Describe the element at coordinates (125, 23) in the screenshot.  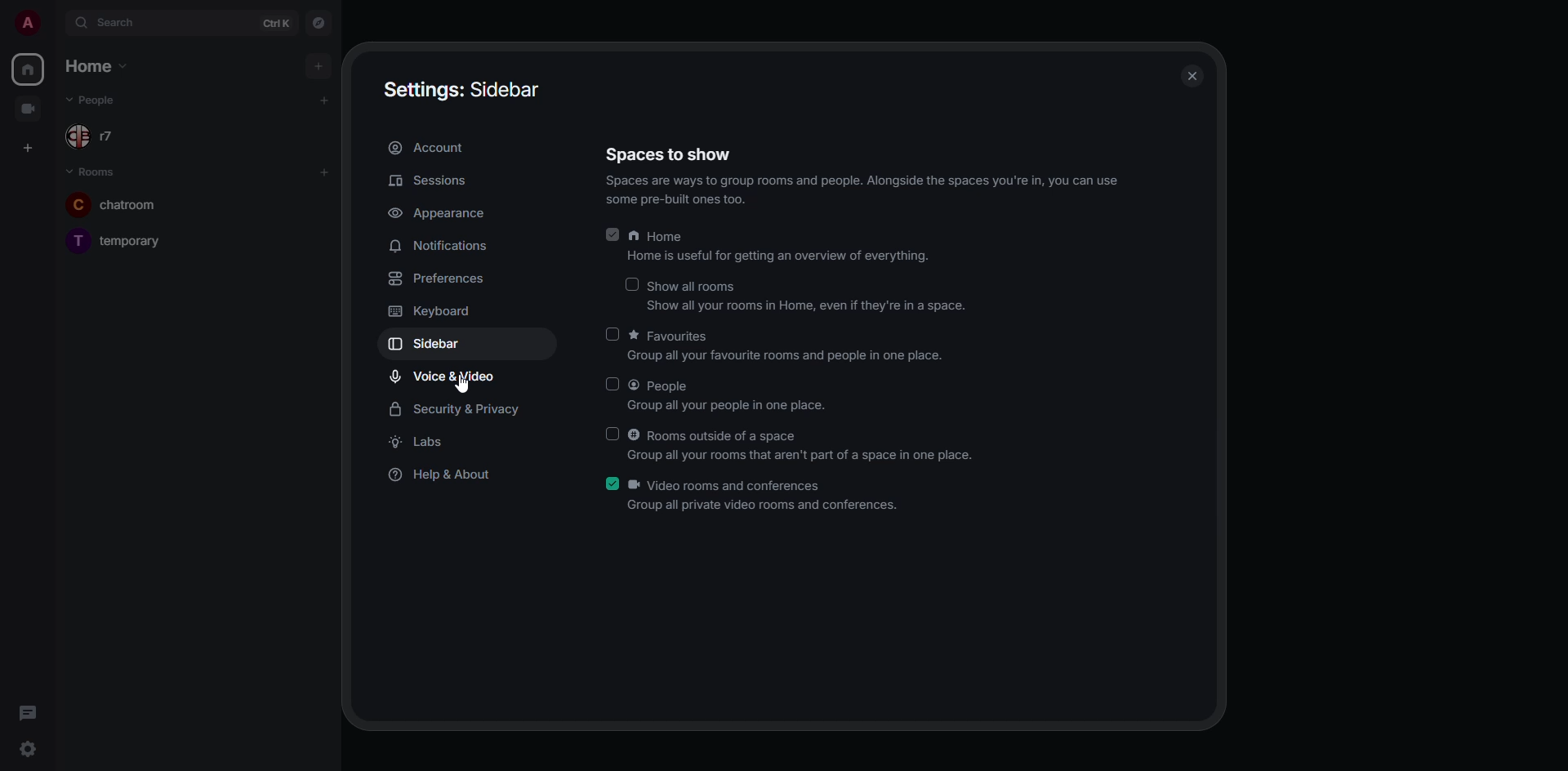
I see `search` at that location.